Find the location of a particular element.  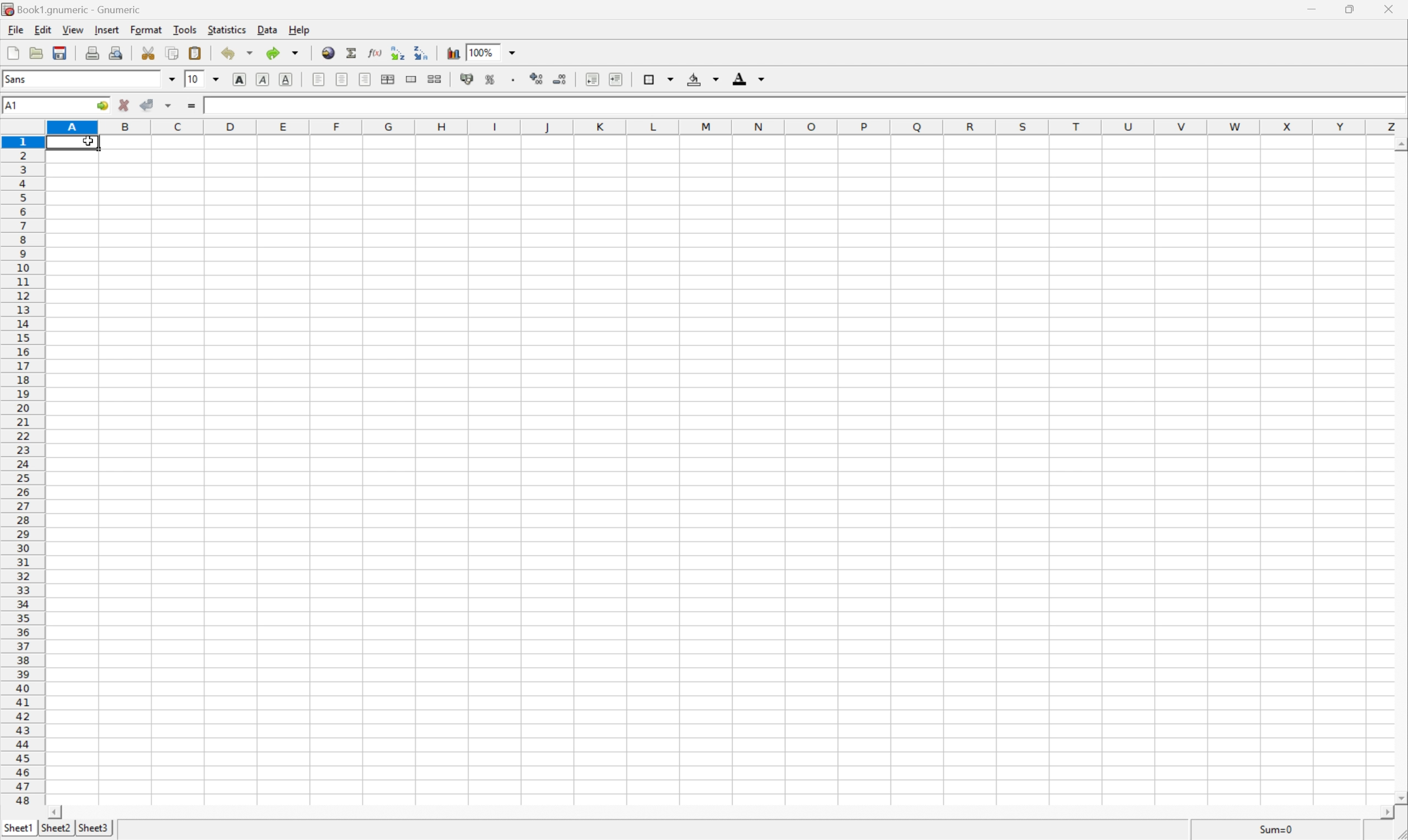

decrease number of decimals displayed is located at coordinates (560, 83).